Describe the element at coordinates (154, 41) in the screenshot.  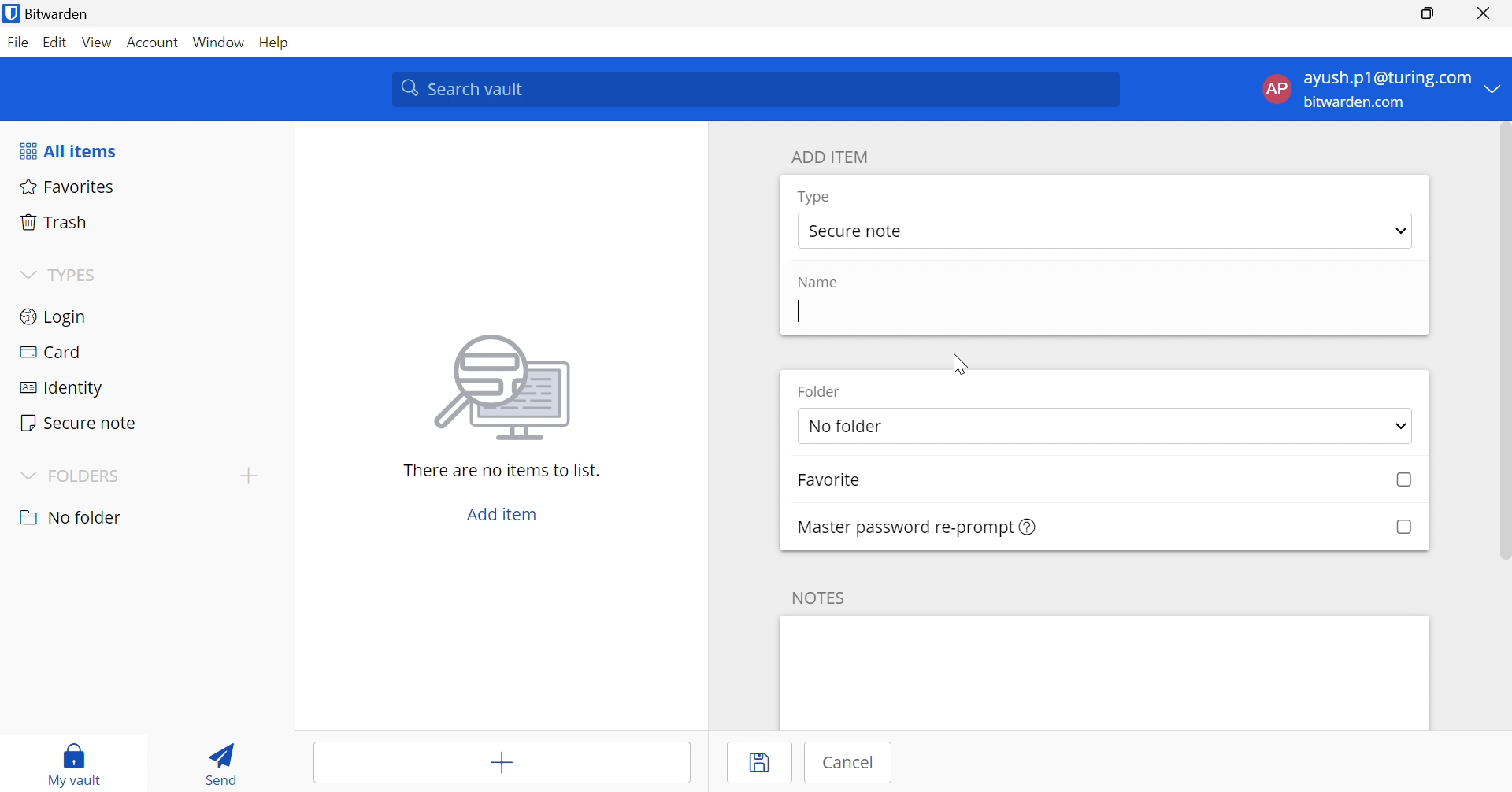
I see `Account` at that location.